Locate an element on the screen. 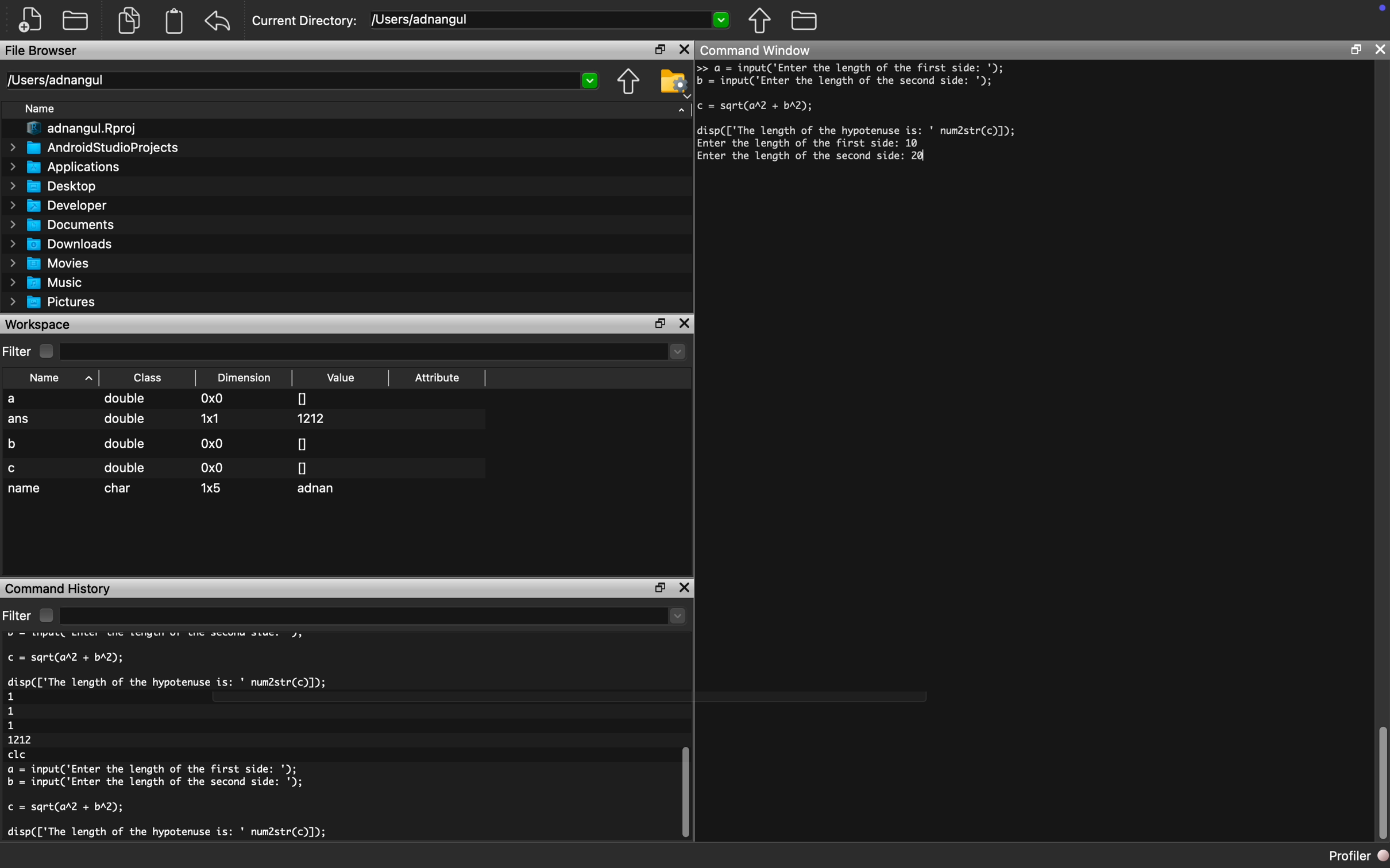 Image resolution: width=1390 pixels, height=868 pixels. 1x5 is located at coordinates (212, 487).